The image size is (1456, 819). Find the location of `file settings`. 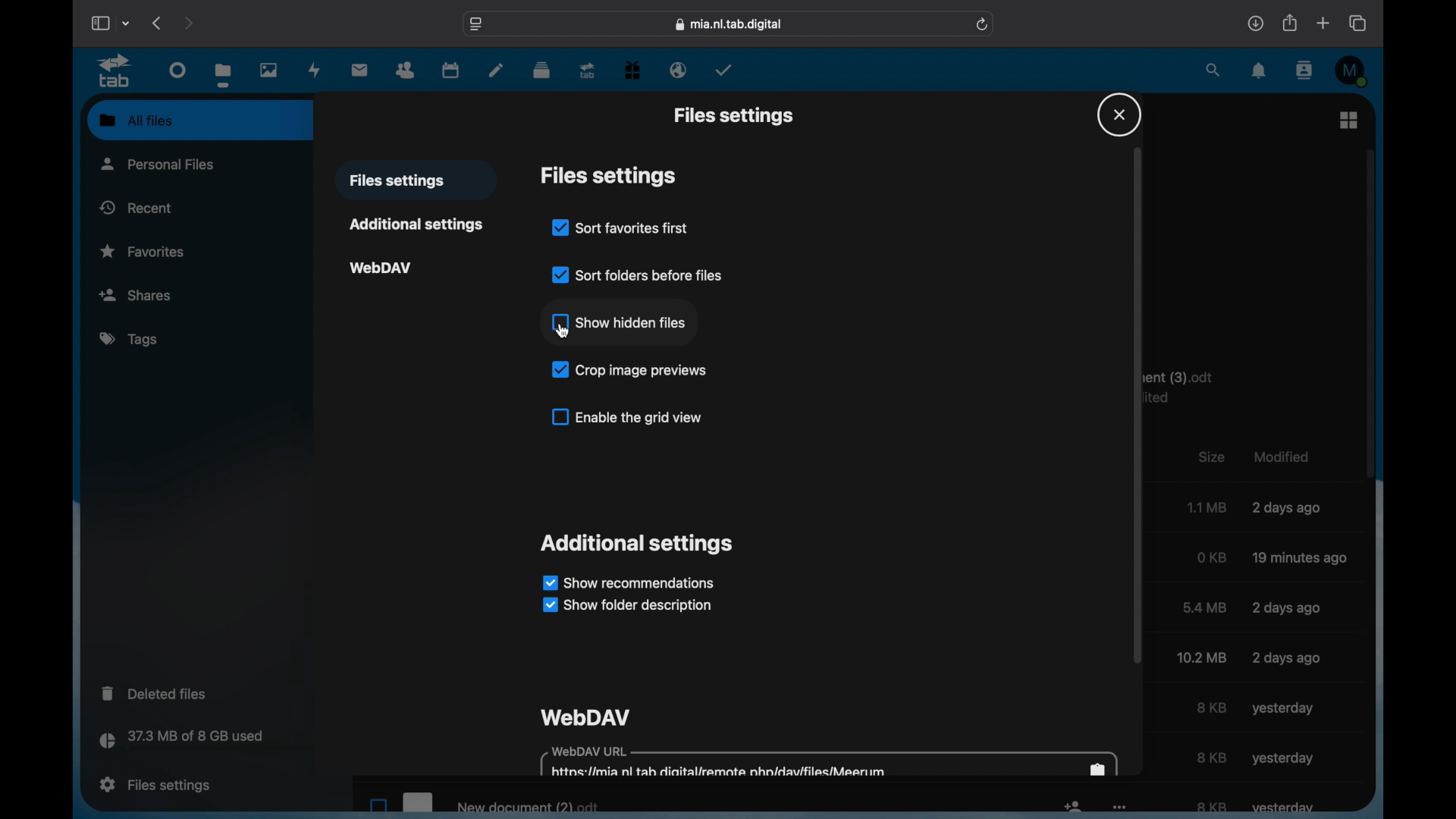

file settings is located at coordinates (155, 784).